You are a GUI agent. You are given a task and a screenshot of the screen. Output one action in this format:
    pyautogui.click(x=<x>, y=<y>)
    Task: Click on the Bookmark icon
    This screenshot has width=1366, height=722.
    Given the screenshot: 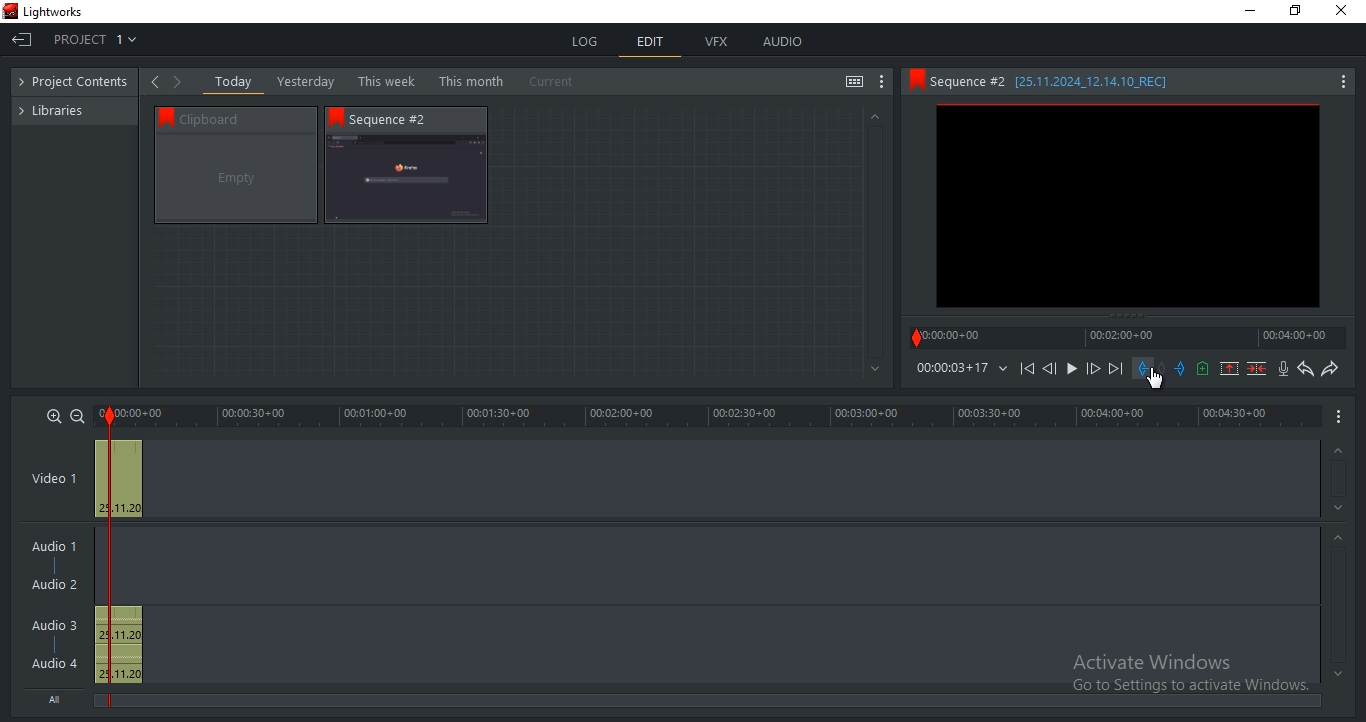 What is the action you would take?
    pyautogui.click(x=162, y=116)
    